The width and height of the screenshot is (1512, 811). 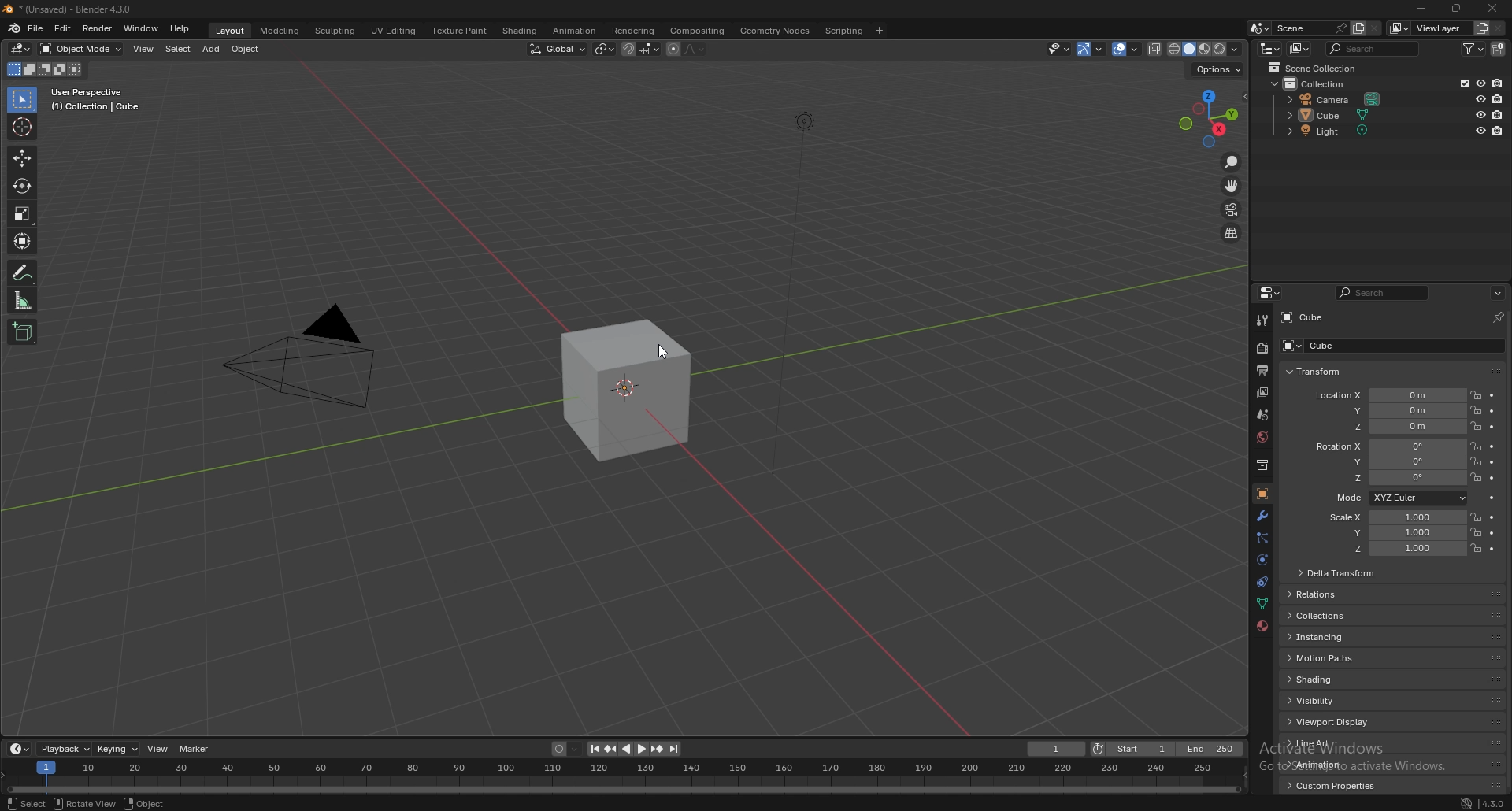 I want to click on scene, so click(x=1265, y=413).